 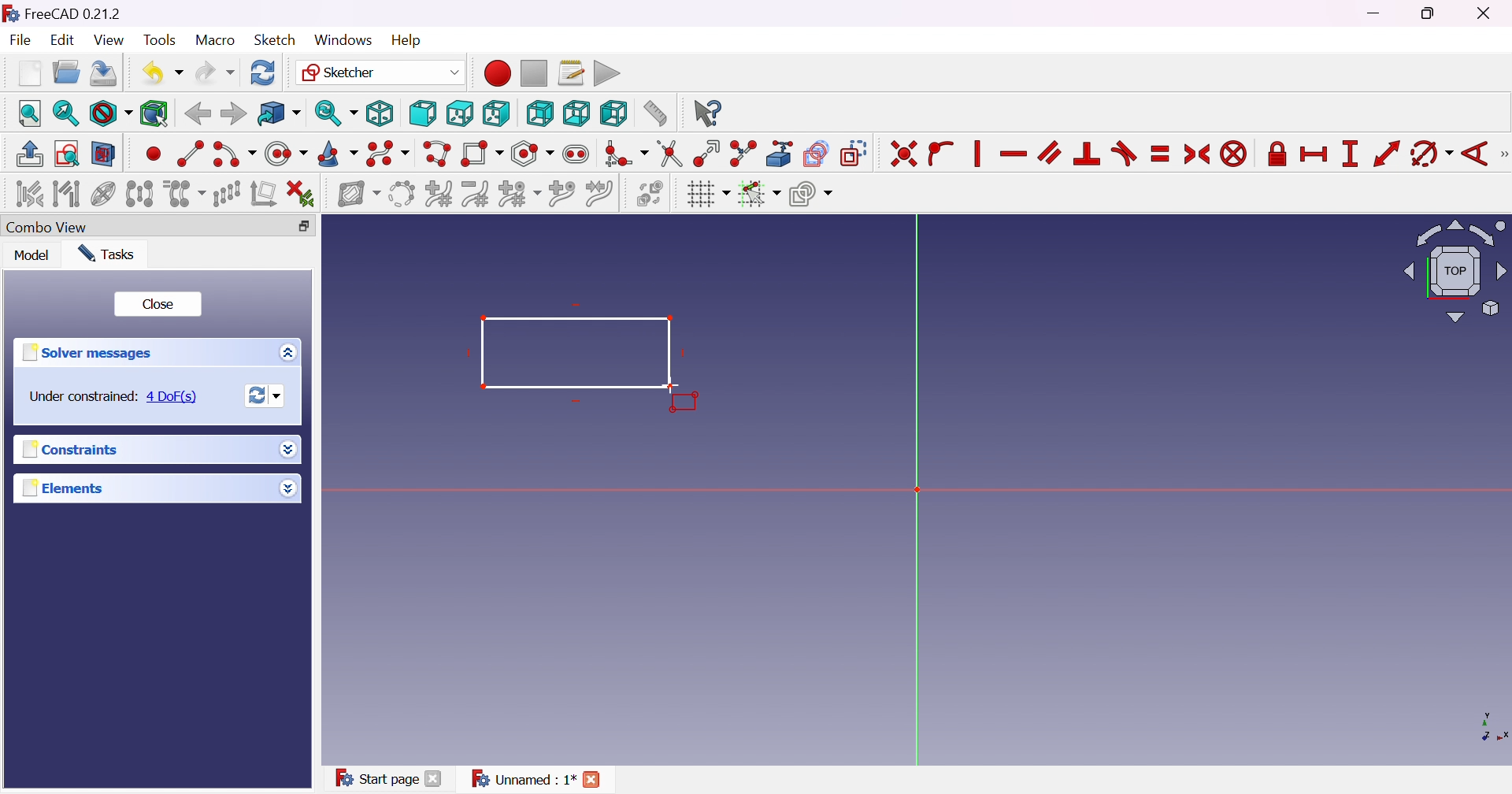 What do you see at coordinates (109, 113) in the screenshot?
I see `Fit style` at bounding box center [109, 113].